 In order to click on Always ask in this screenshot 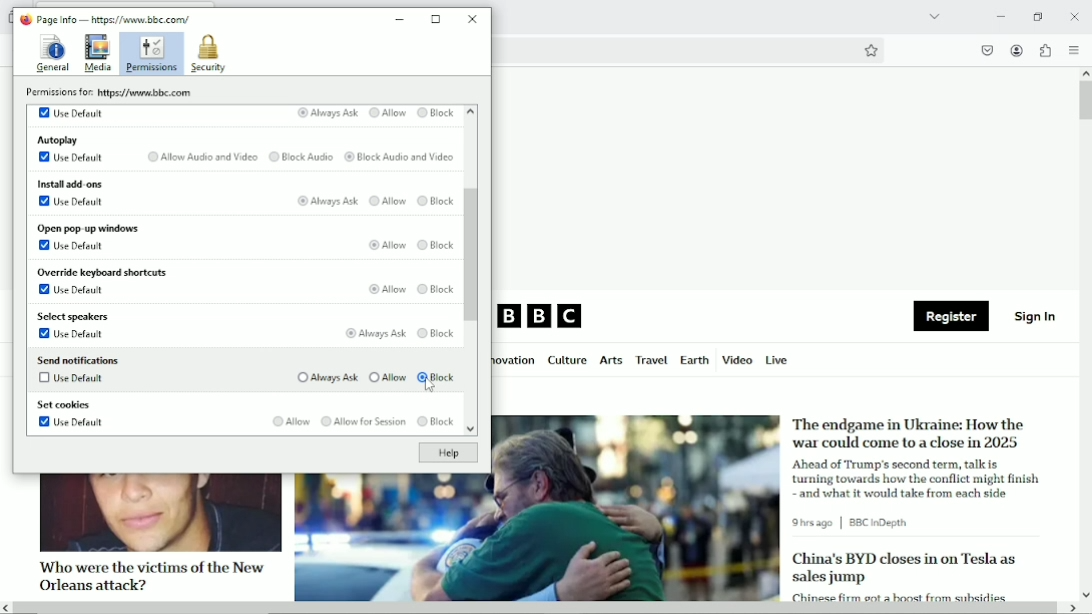, I will do `click(326, 378)`.